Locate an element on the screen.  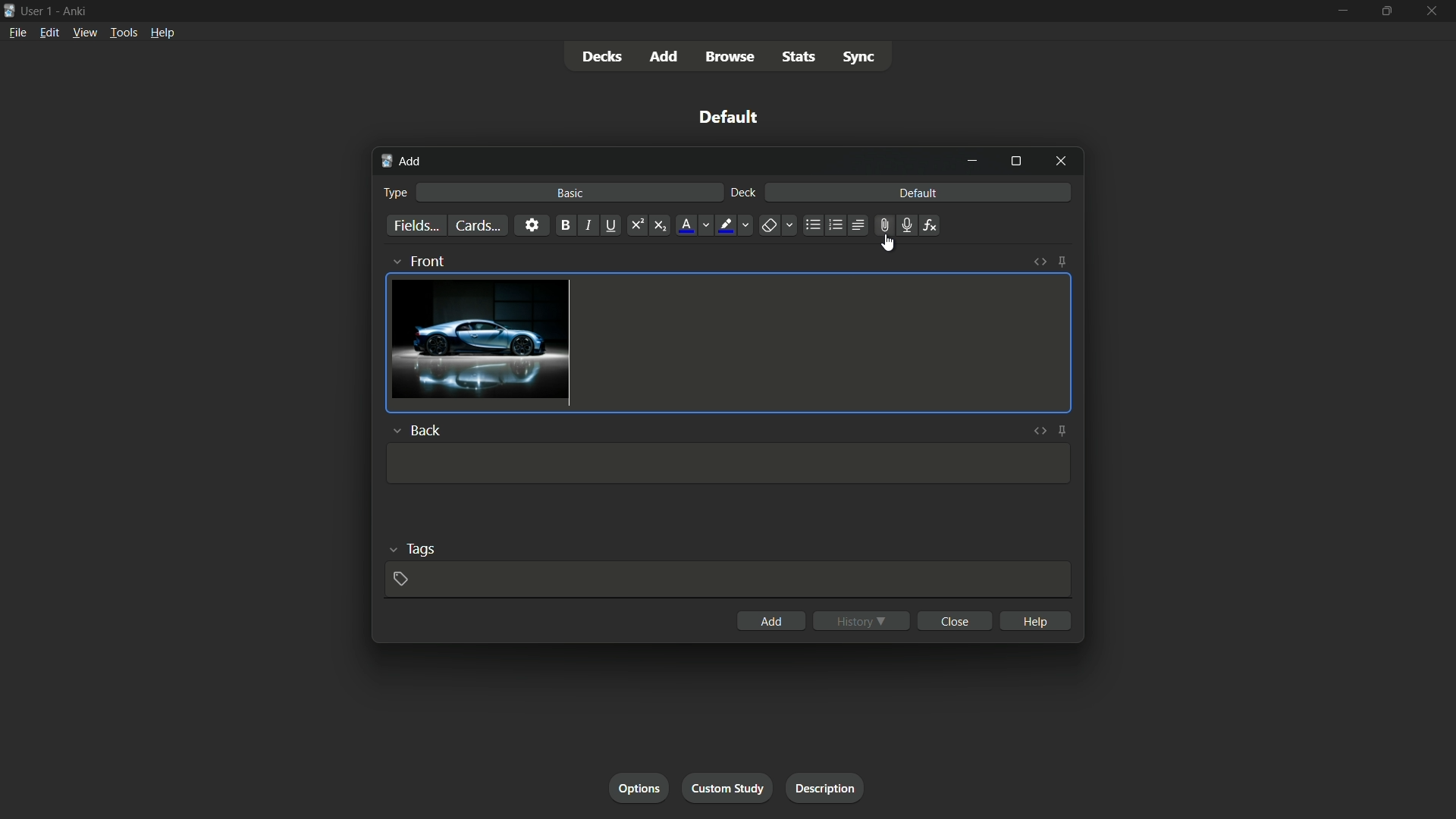
history is located at coordinates (862, 620).